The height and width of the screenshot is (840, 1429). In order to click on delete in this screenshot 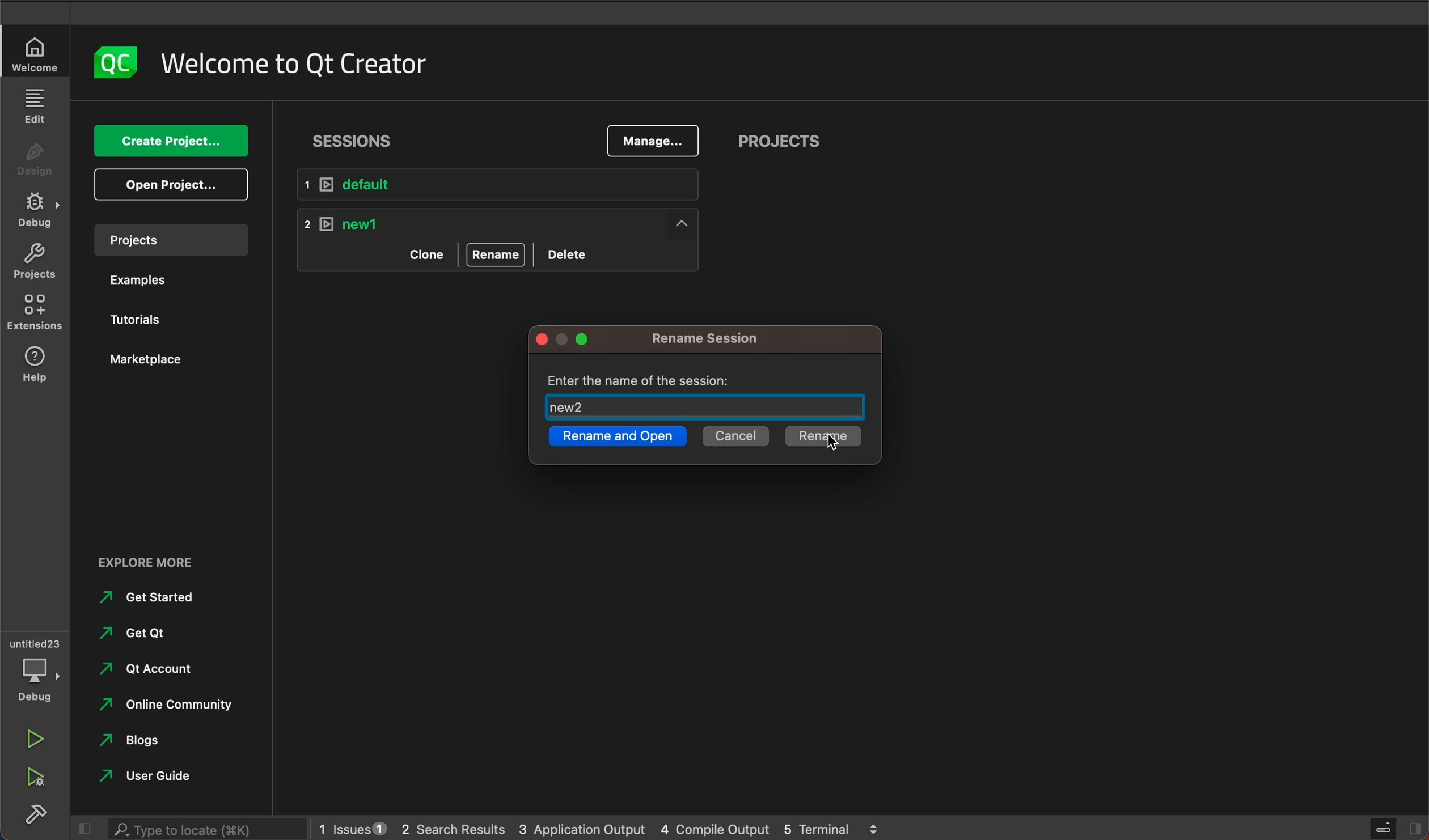, I will do `click(570, 252)`.